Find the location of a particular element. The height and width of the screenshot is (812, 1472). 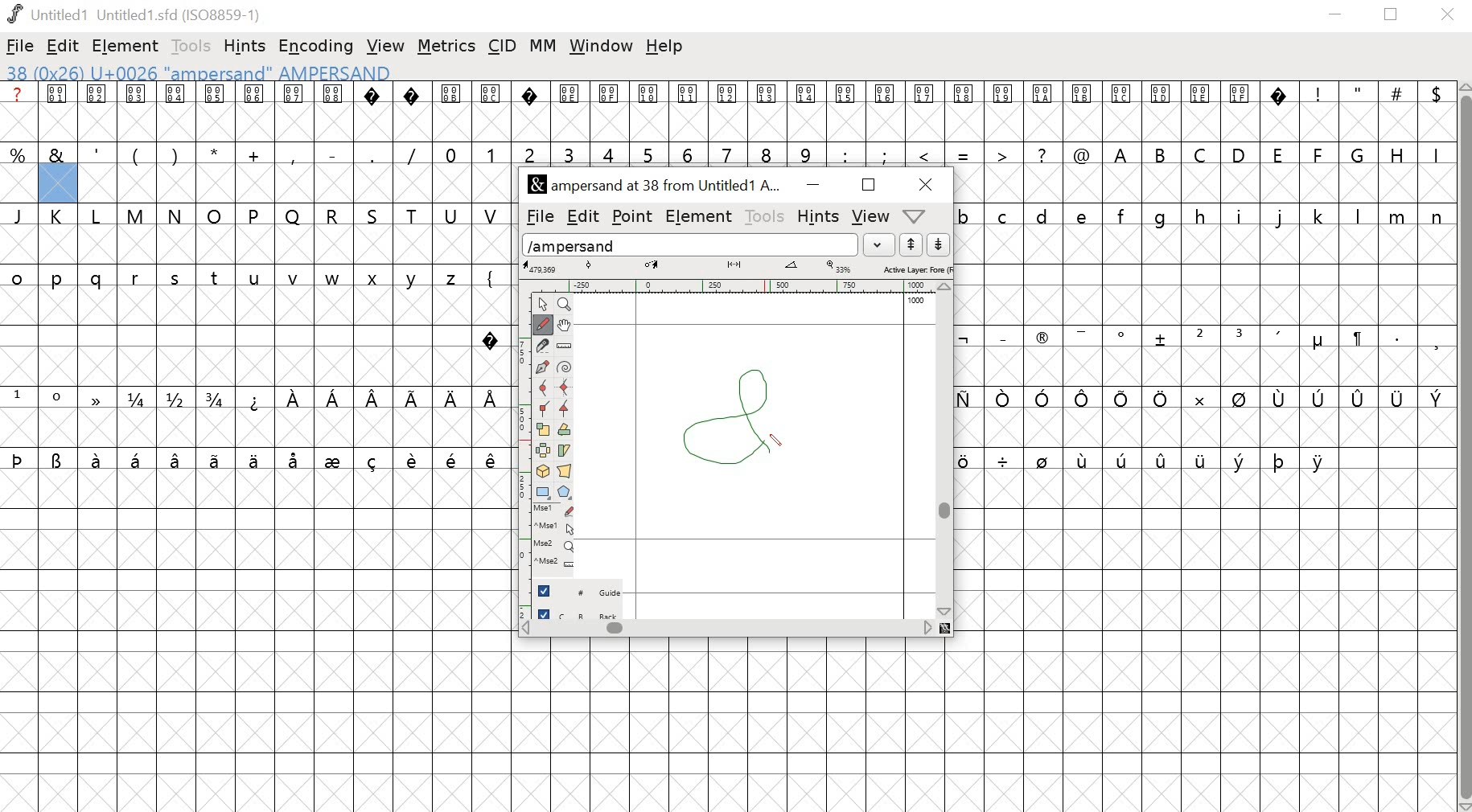

view is located at coordinates (872, 215).